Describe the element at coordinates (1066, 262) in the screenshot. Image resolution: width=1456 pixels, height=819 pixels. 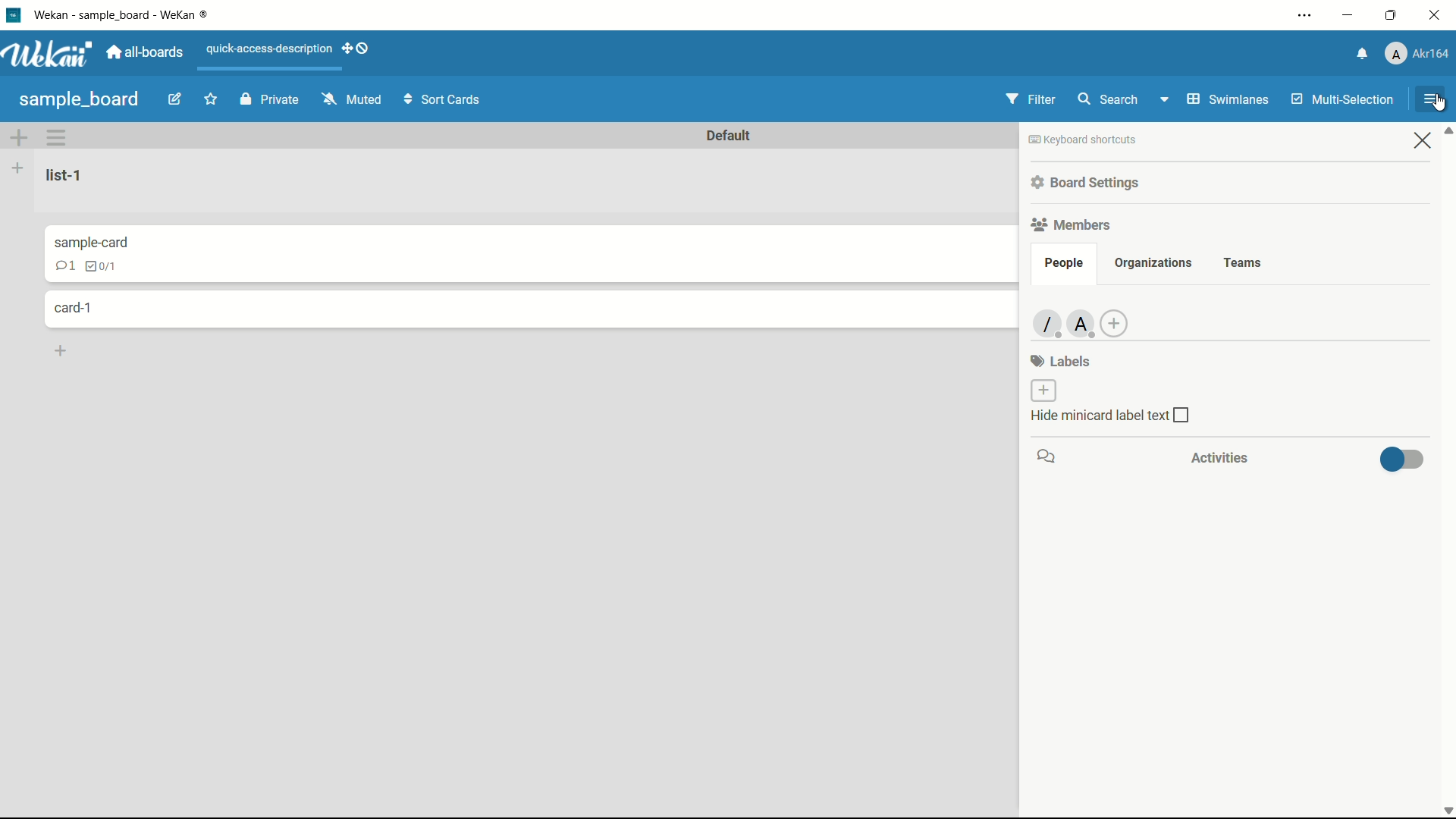
I see `people` at that location.